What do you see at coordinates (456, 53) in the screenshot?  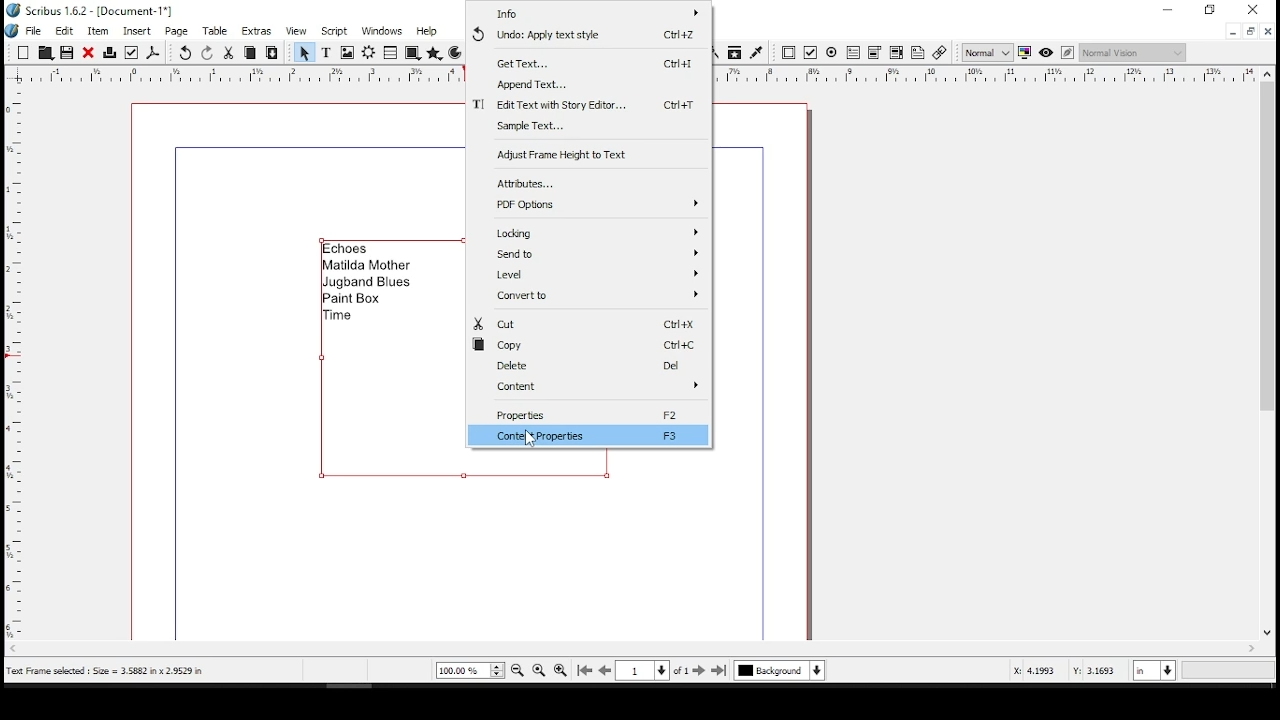 I see `arc` at bounding box center [456, 53].